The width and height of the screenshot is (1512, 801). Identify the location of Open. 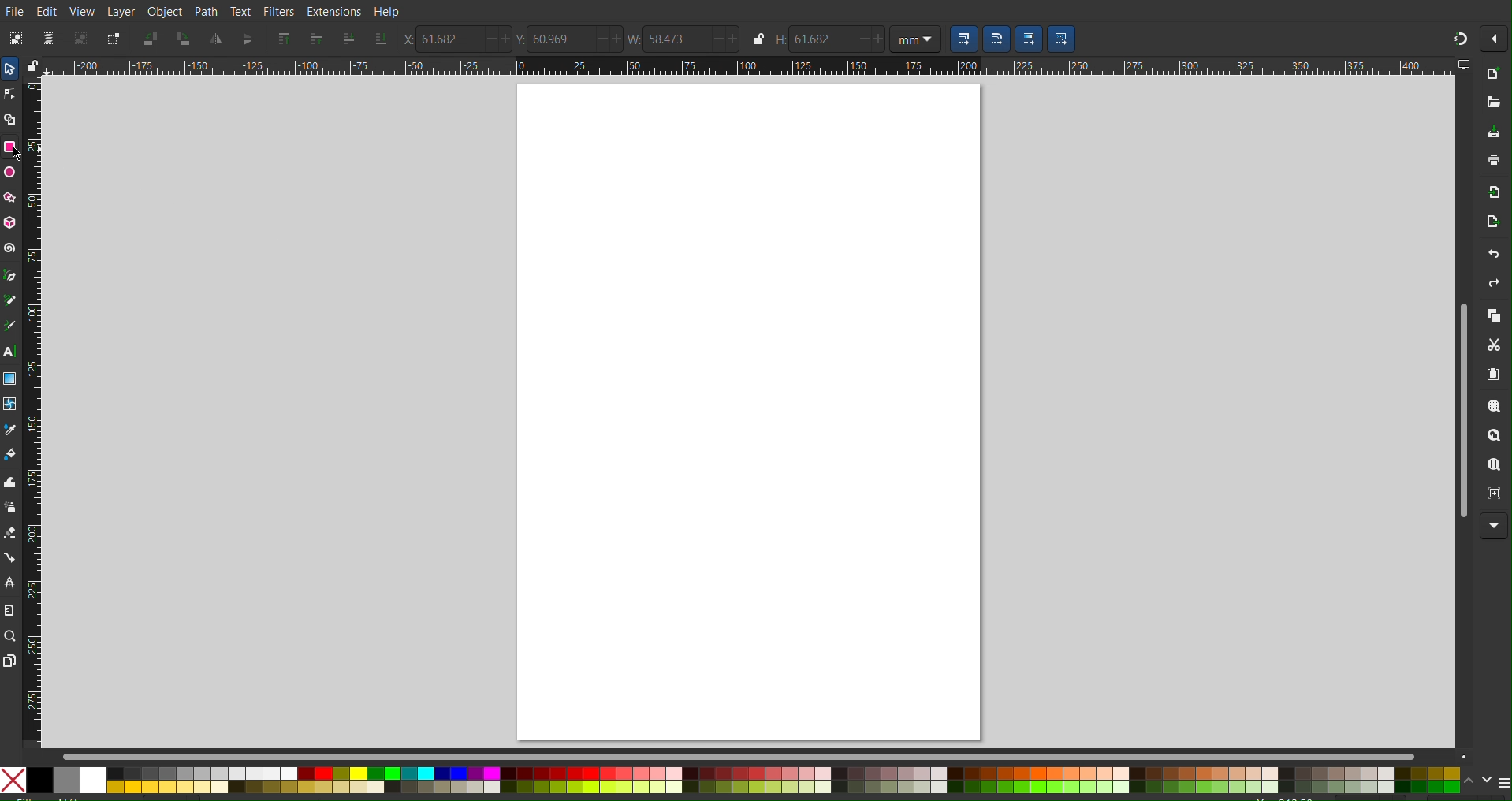
(1492, 103).